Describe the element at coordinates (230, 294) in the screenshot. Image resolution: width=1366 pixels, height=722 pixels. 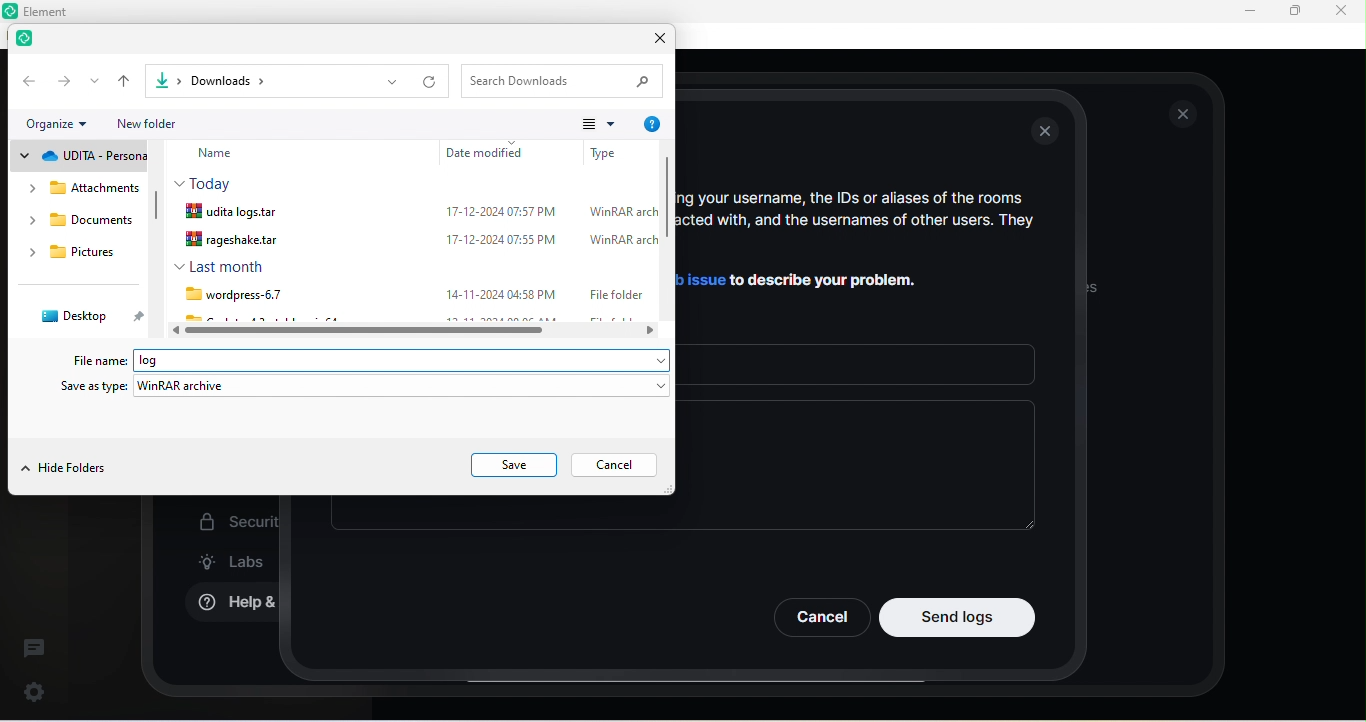
I see `wordpress-6.7` at that location.